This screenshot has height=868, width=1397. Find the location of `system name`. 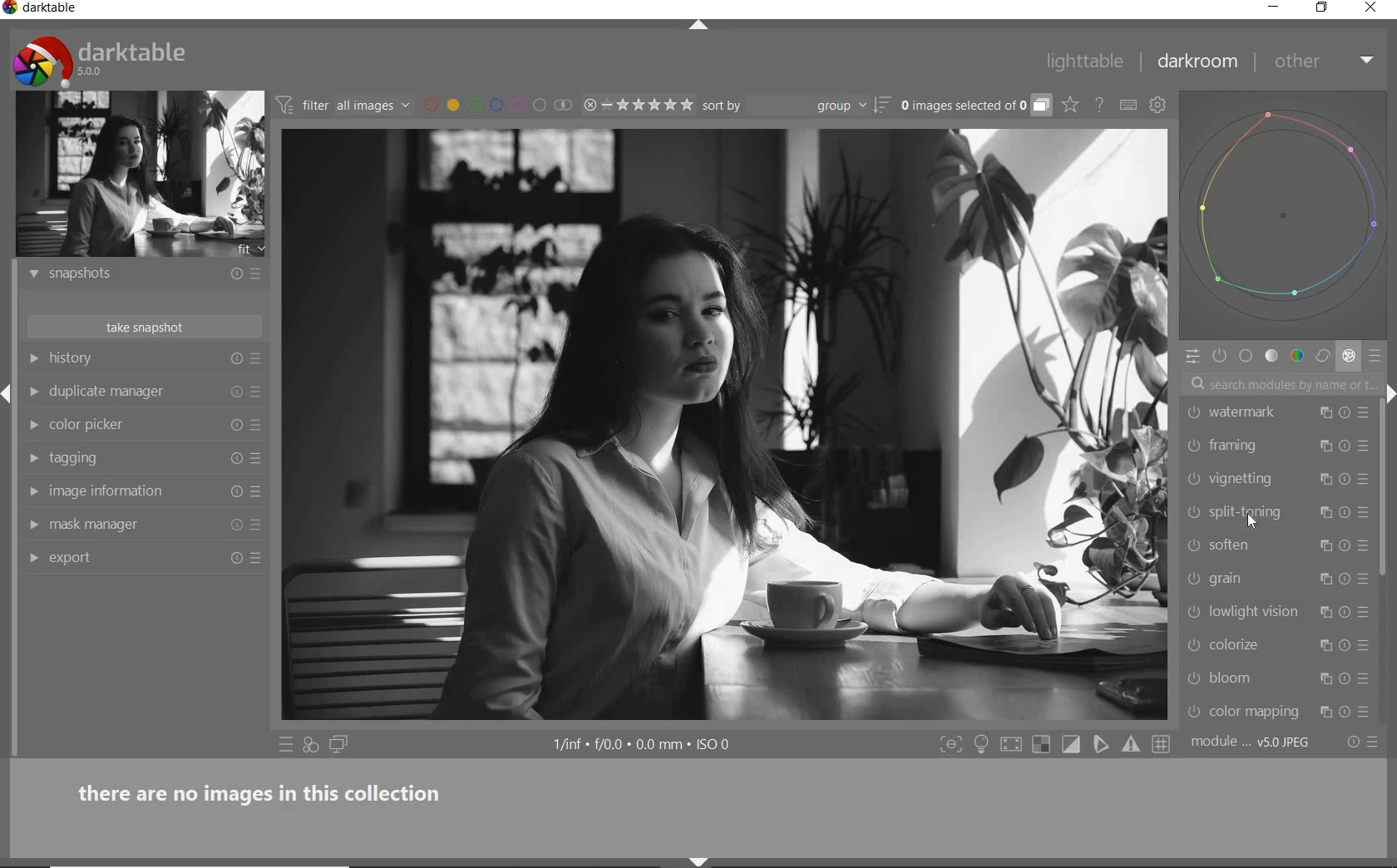

system name is located at coordinates (42, 9).